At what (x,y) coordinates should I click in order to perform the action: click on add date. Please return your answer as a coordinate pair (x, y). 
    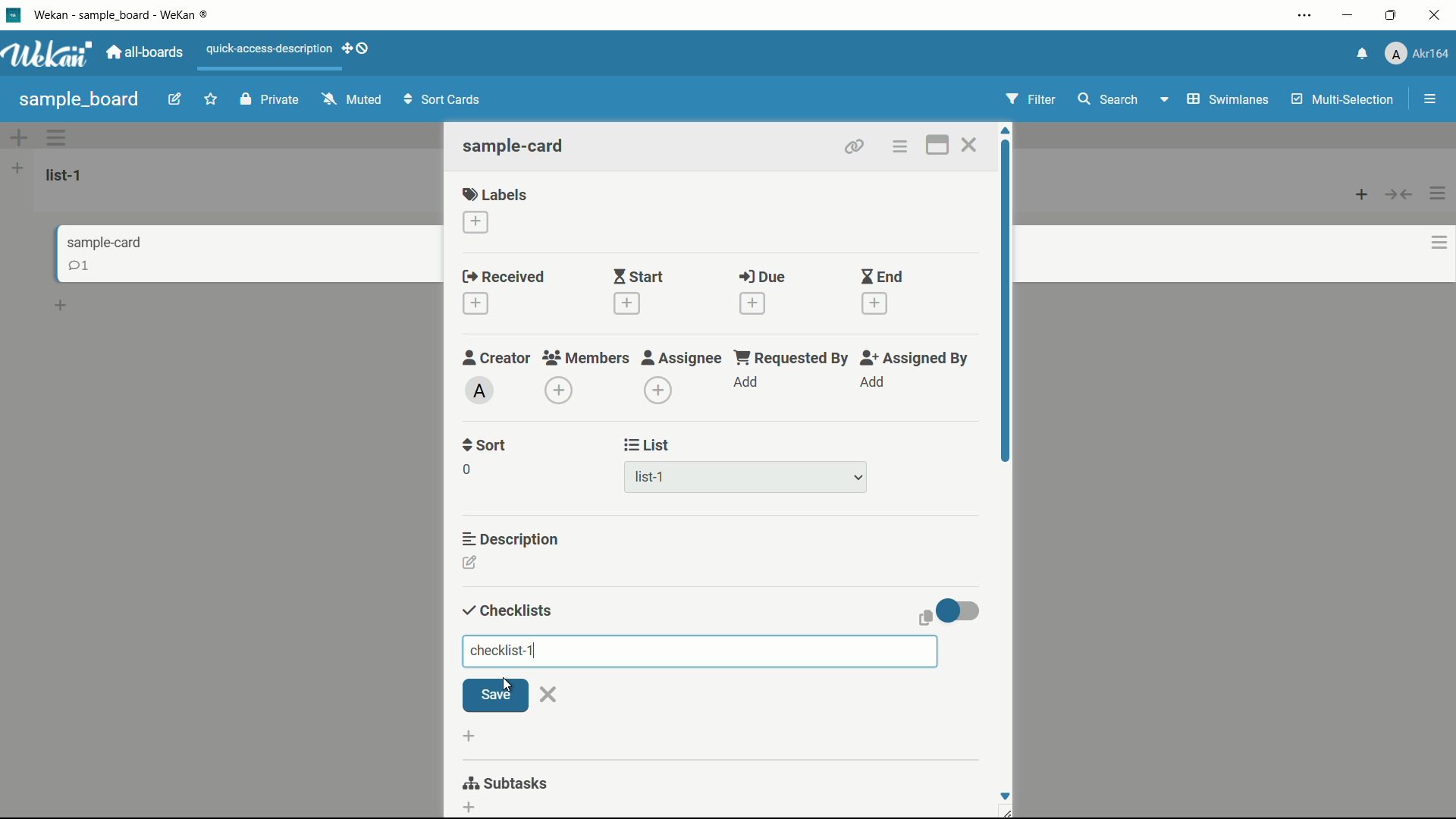
    Looking at the image, I should click on (752, 304).